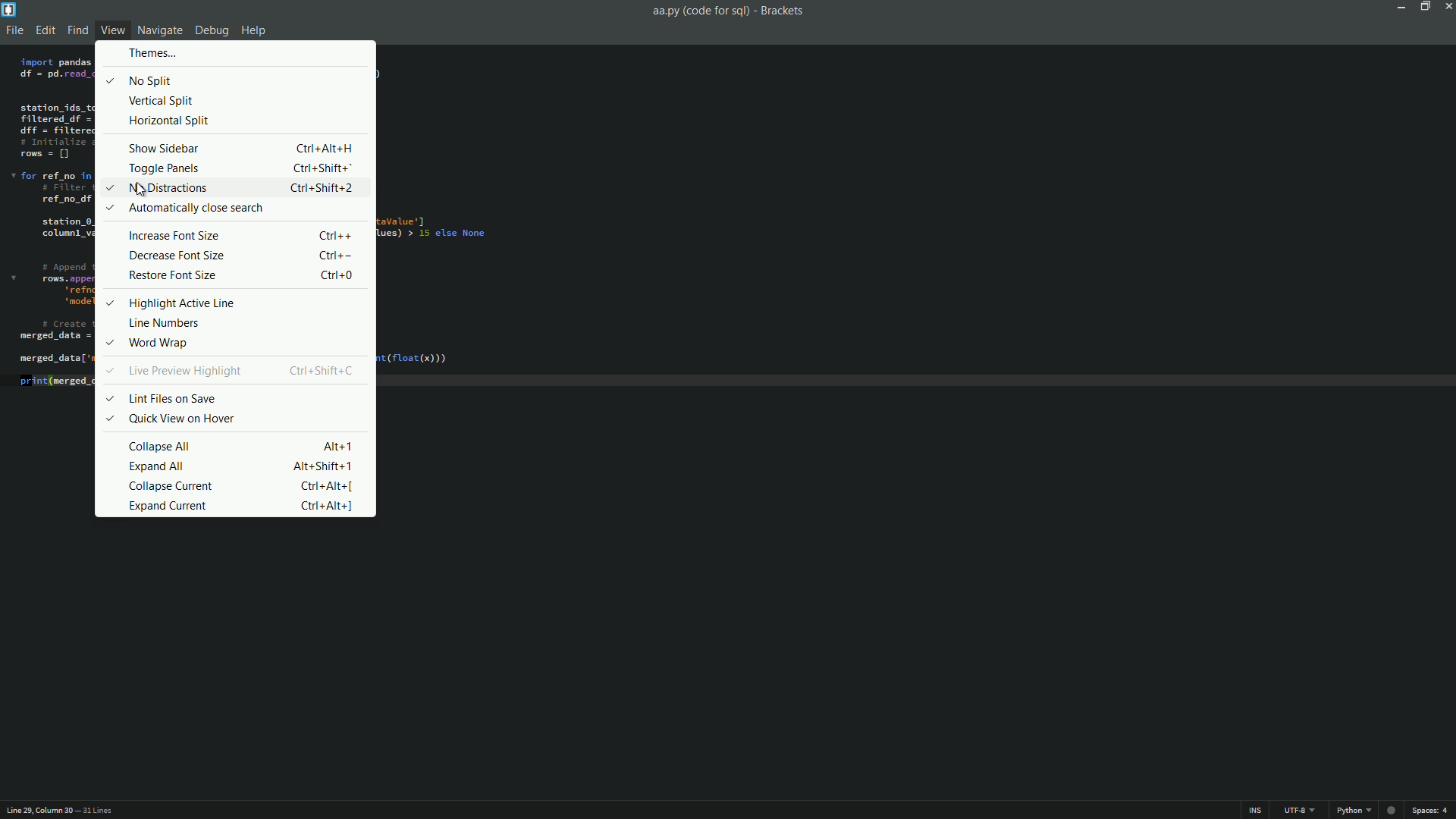 The width and height of the screenshot is (1456, 819). I want to click on navigate menu, so click(160, 30).